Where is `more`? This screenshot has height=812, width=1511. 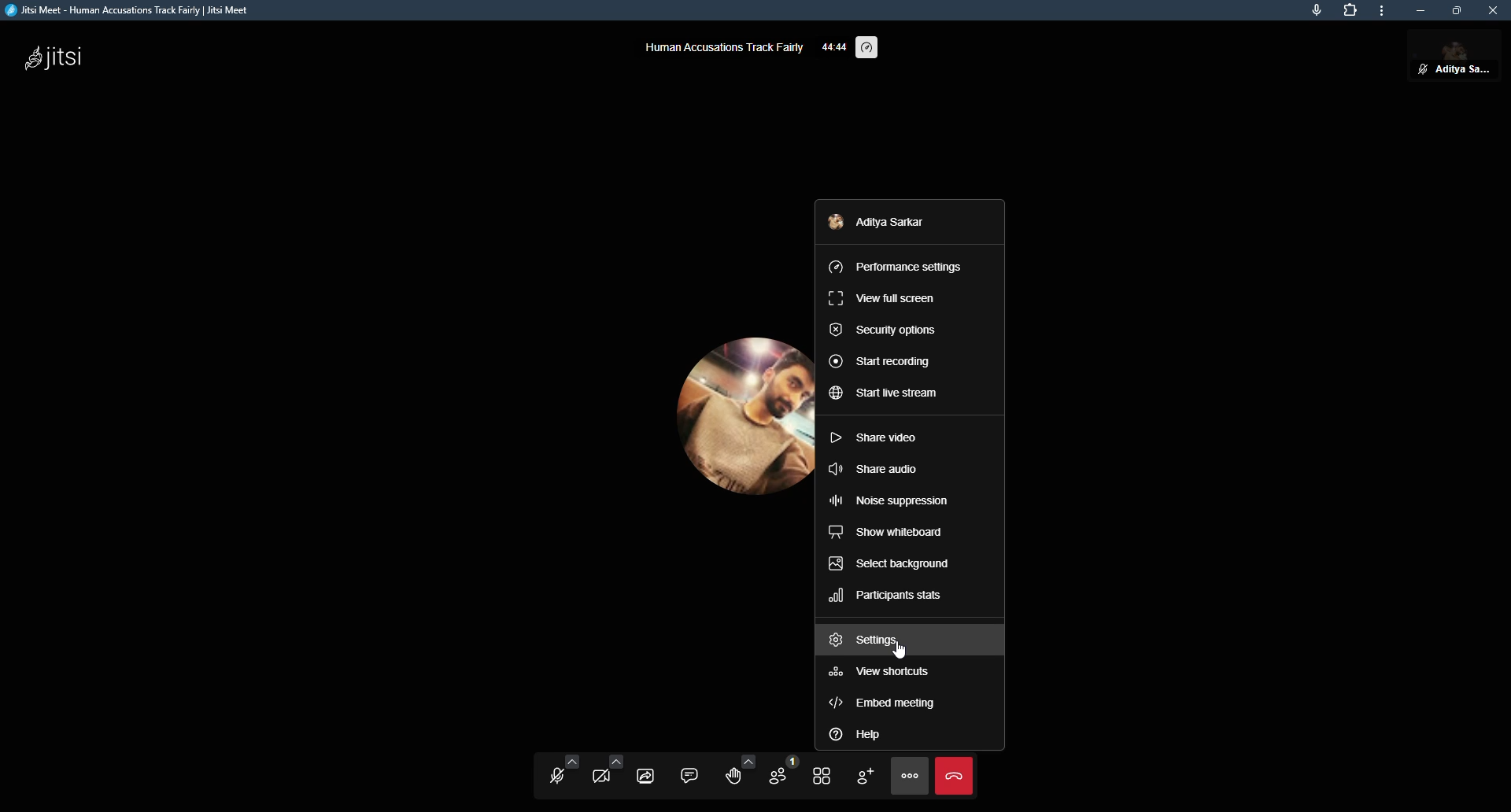 more is located at coordinates (1387, 12).